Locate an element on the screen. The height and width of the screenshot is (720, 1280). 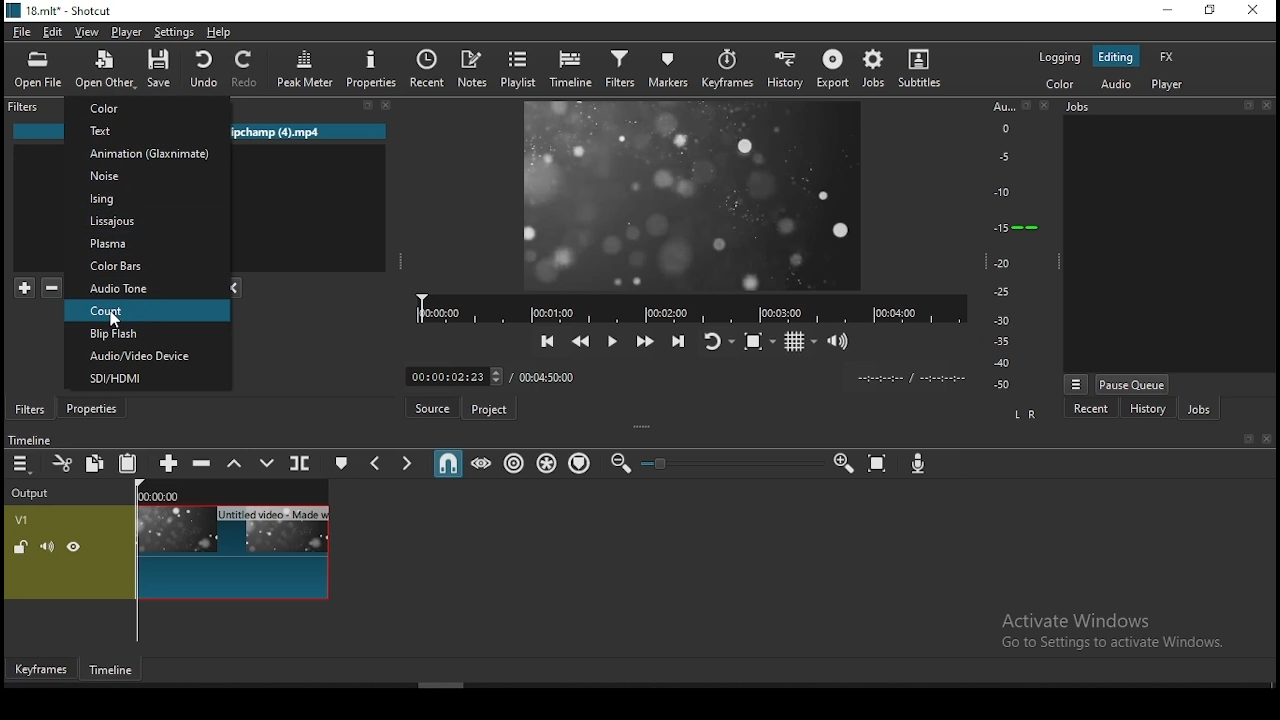
history is located at coordinates (787, 68).